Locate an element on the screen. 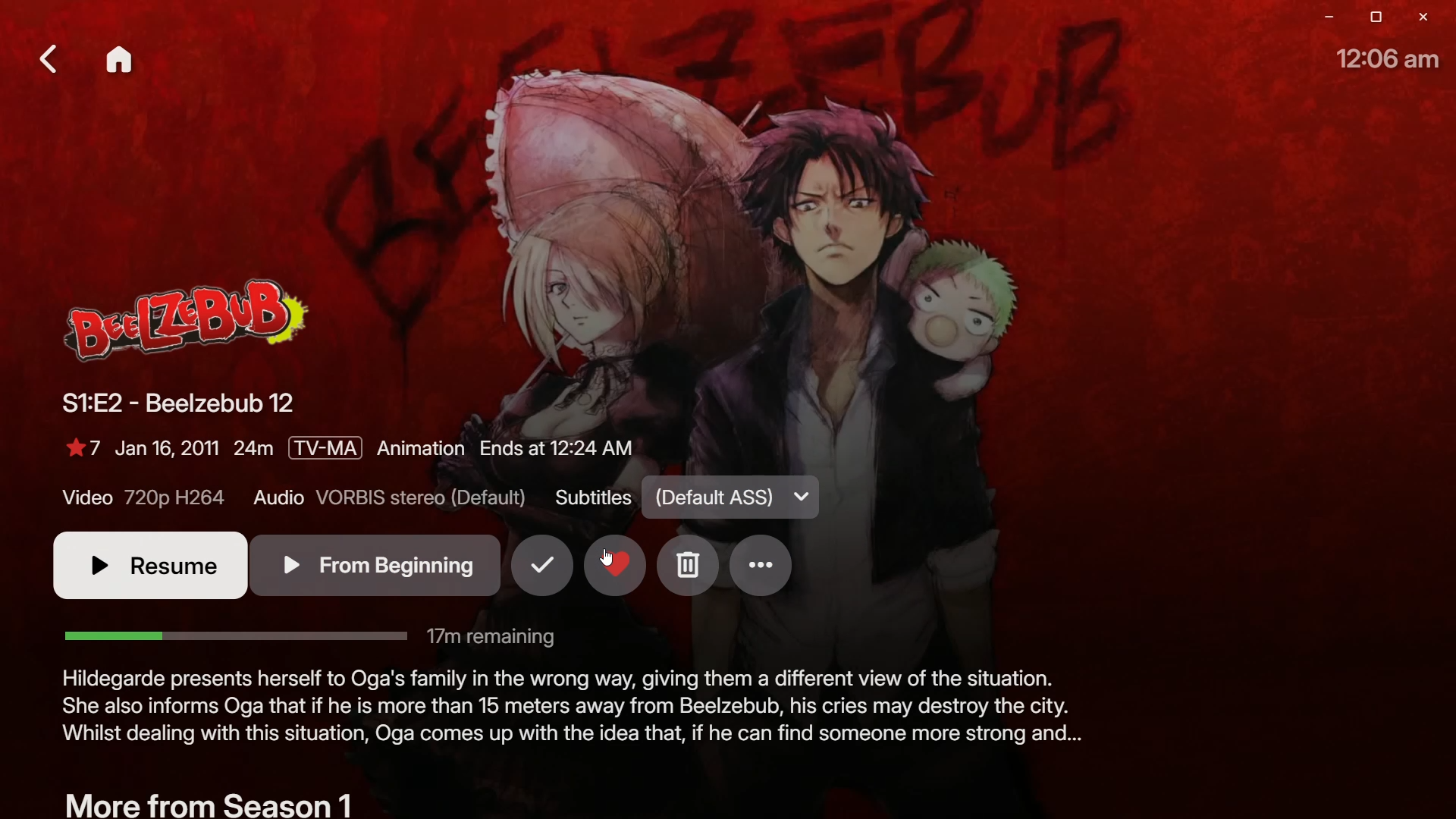 The height and width of the screenshot is (819, 1456). Video Quality is located at coordinates (144, 500).